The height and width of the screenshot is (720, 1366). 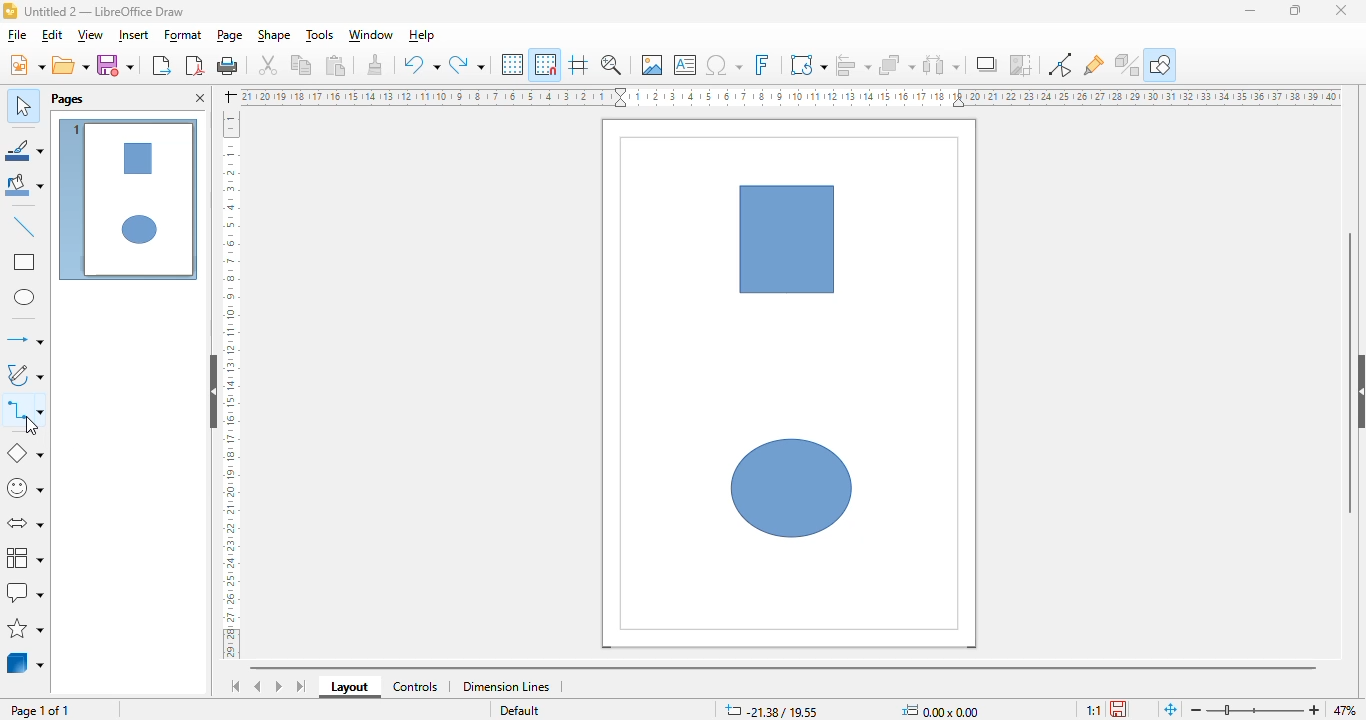 I want to click on undo, so click(x=421, y=66).